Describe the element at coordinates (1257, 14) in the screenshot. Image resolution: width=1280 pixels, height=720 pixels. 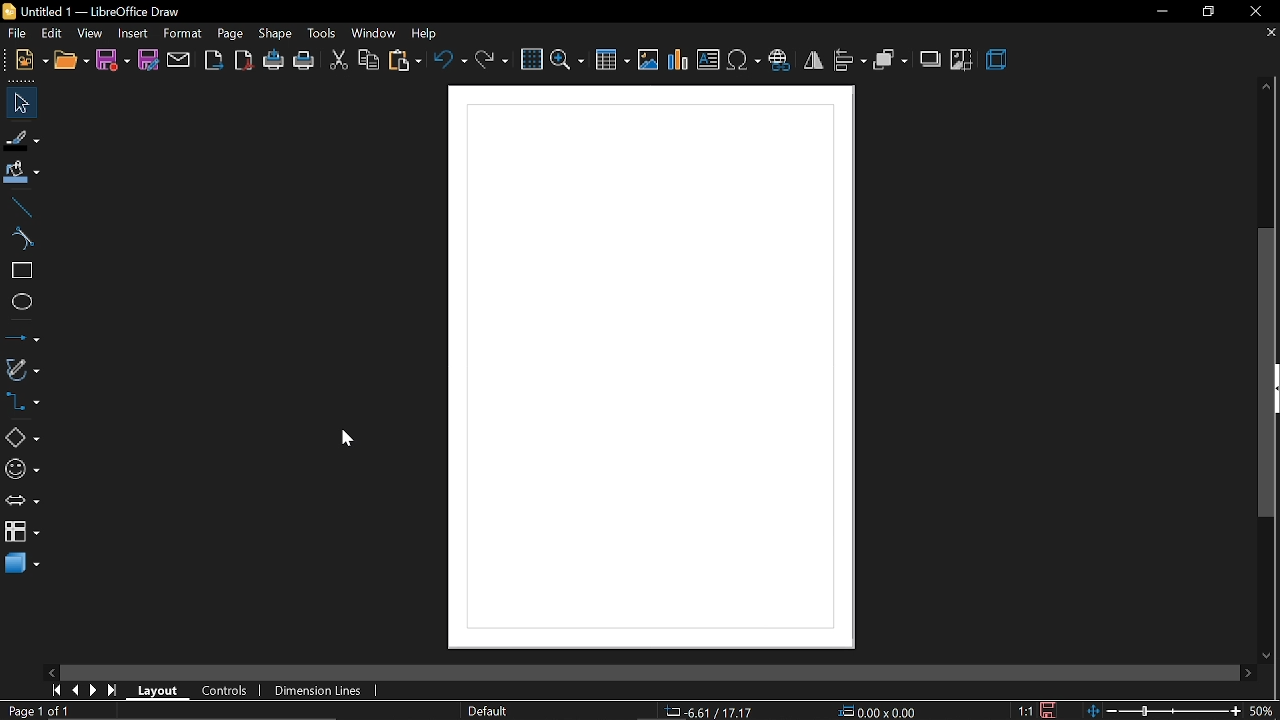
I see `close` at that location.